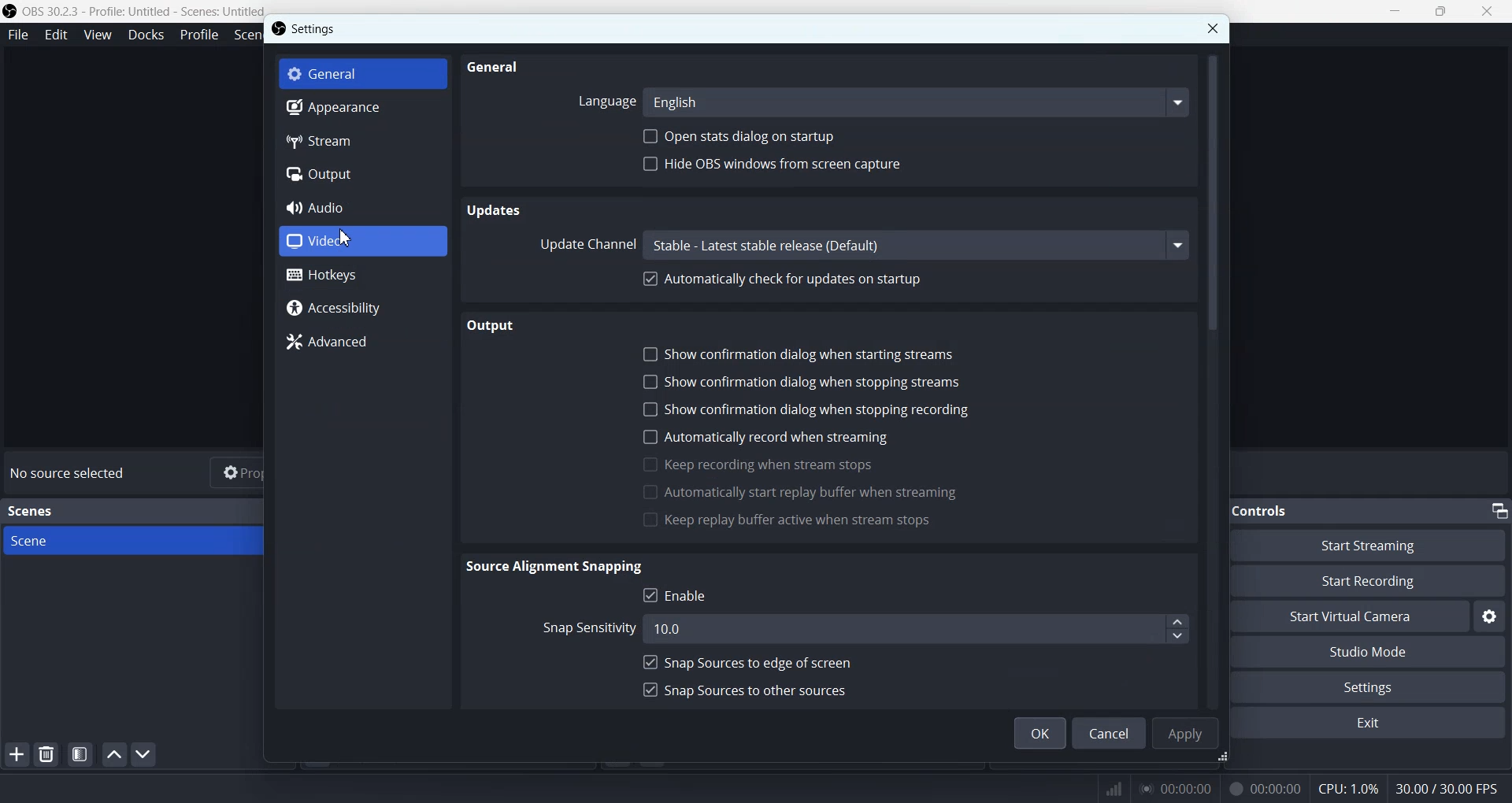 The height and width of the screenshot is (803, 1512). What do you see at coordinates (134, 11) in the screenshot?
I see `Logo` at bounding box center [134, 11].